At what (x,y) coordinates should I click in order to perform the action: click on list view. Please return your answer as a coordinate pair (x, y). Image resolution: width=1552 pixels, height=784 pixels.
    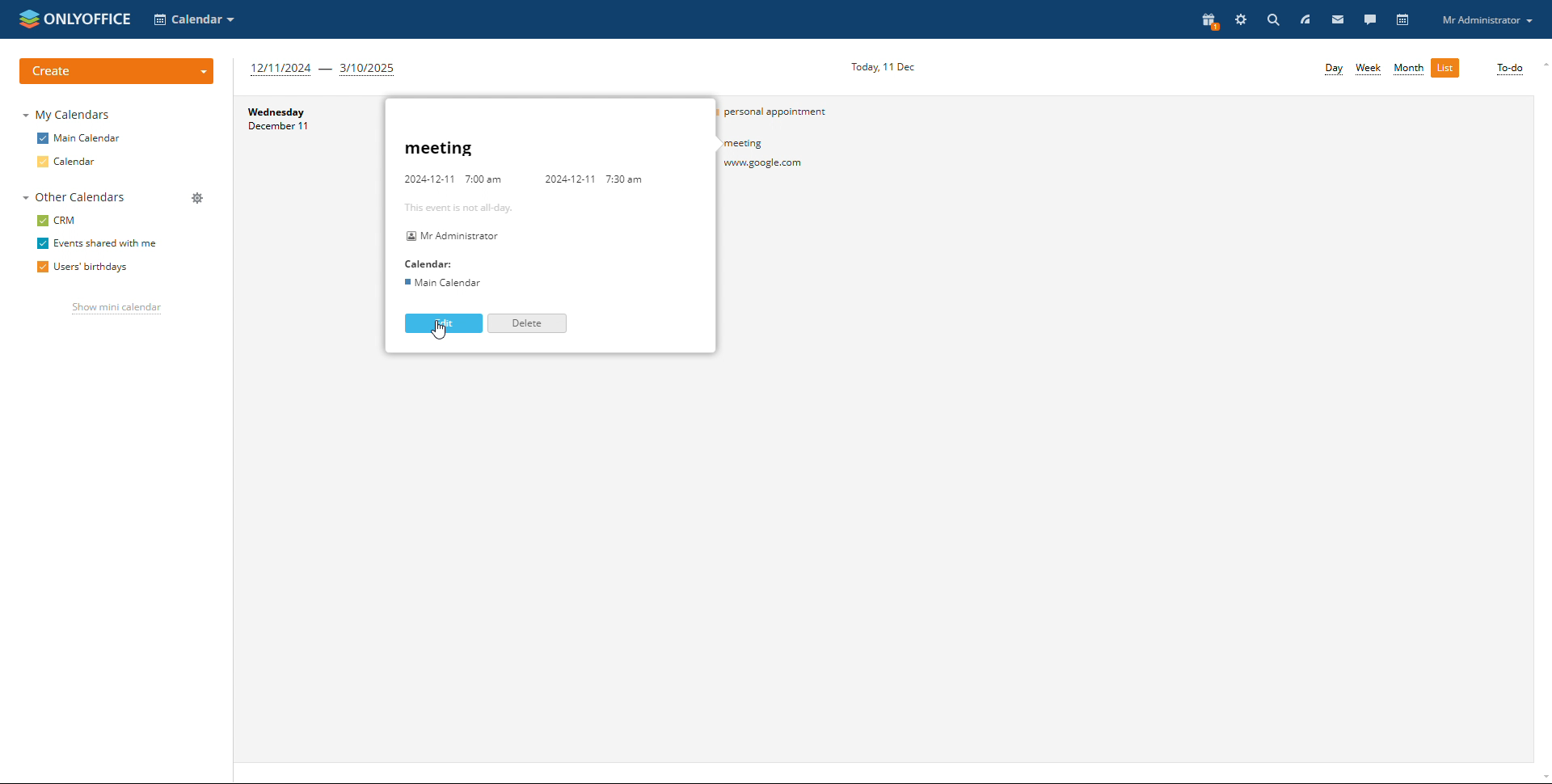
    Looking at the image, I should click on (1444, 68).